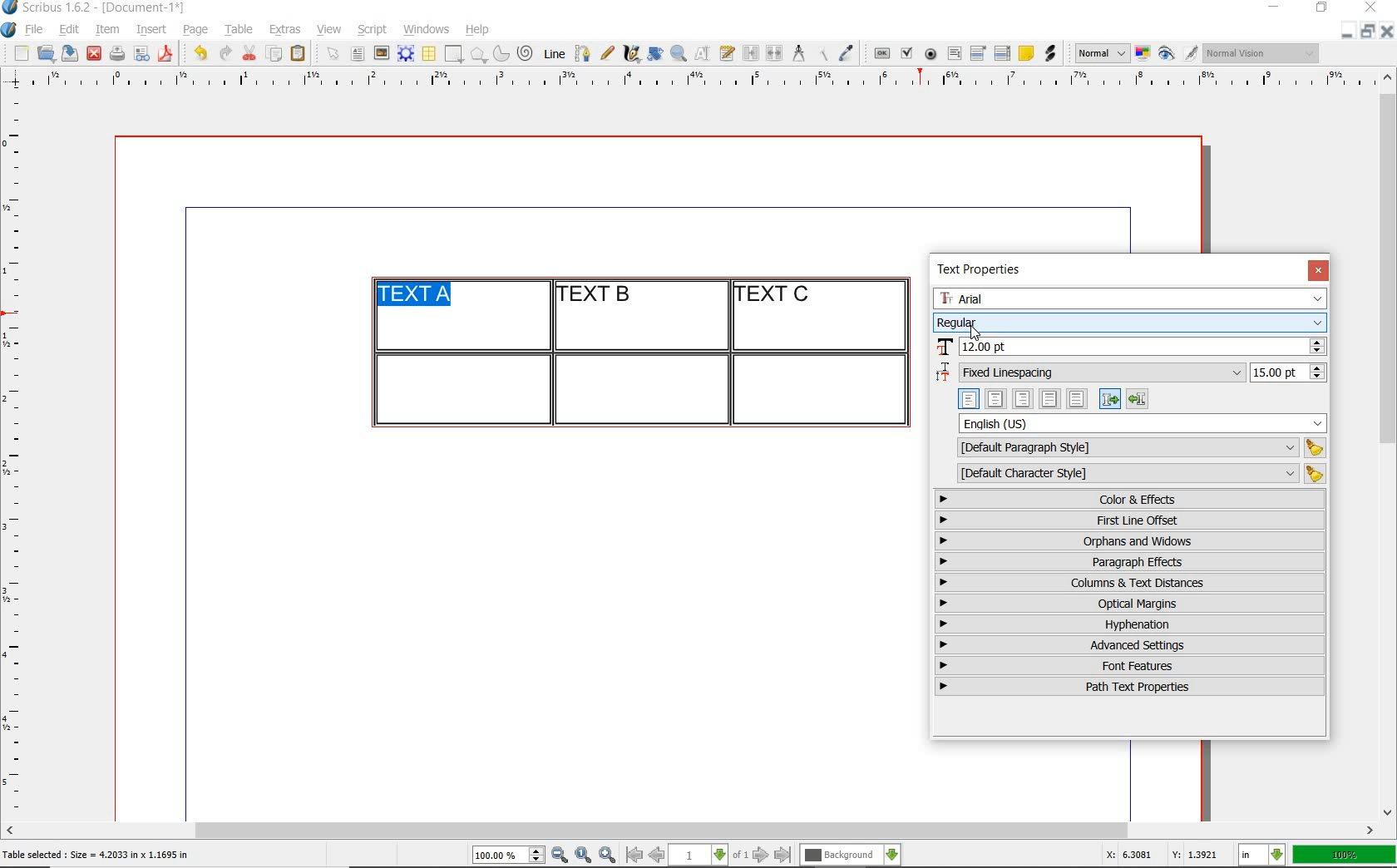  Describe the element at coordinates (1025, 54) in the screenshot. I see `text annotation` at that location.